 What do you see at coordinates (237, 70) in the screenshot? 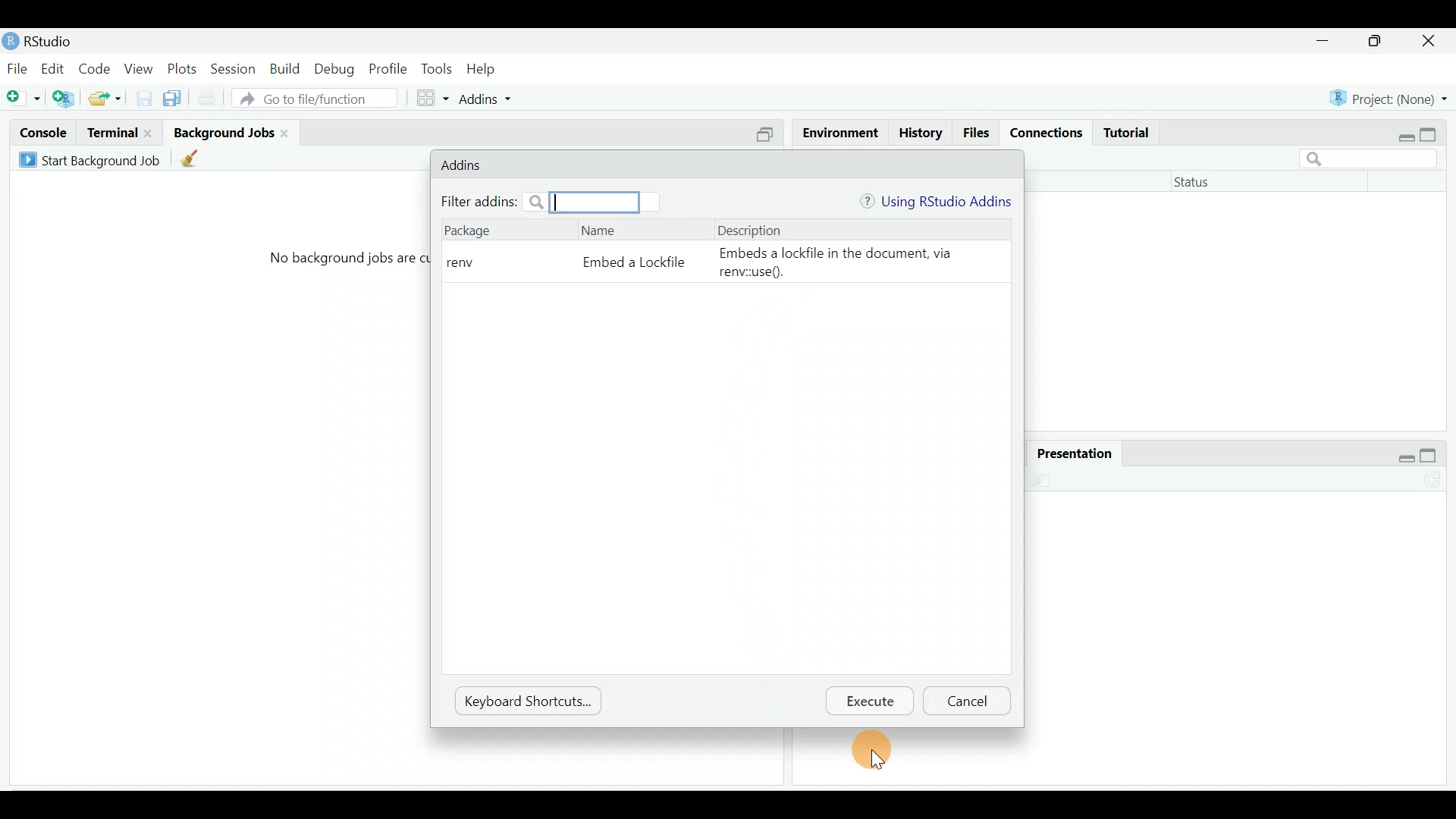
I see `Session` at bounding box center [237, 70].